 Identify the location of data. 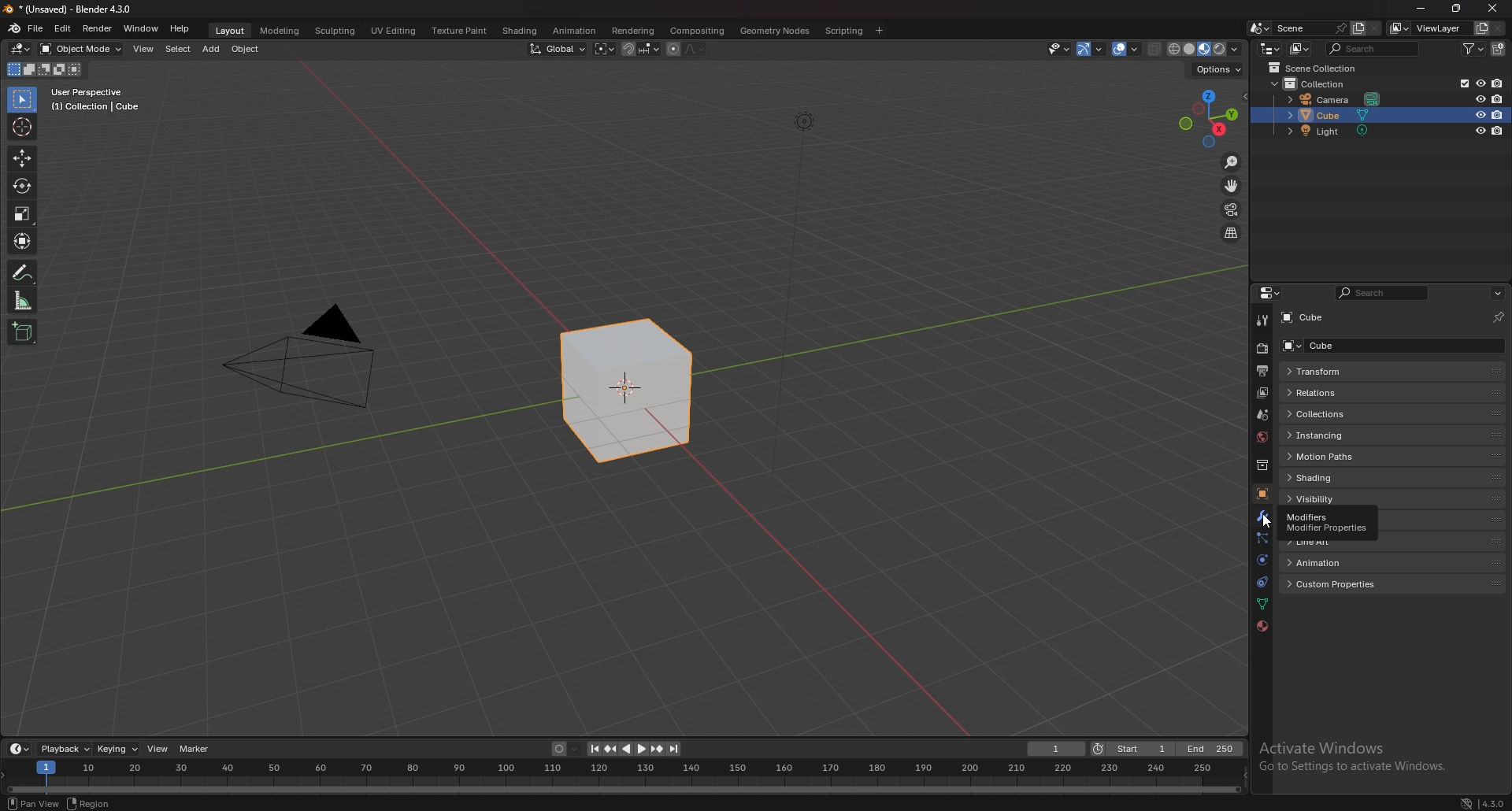
(1261, 604).